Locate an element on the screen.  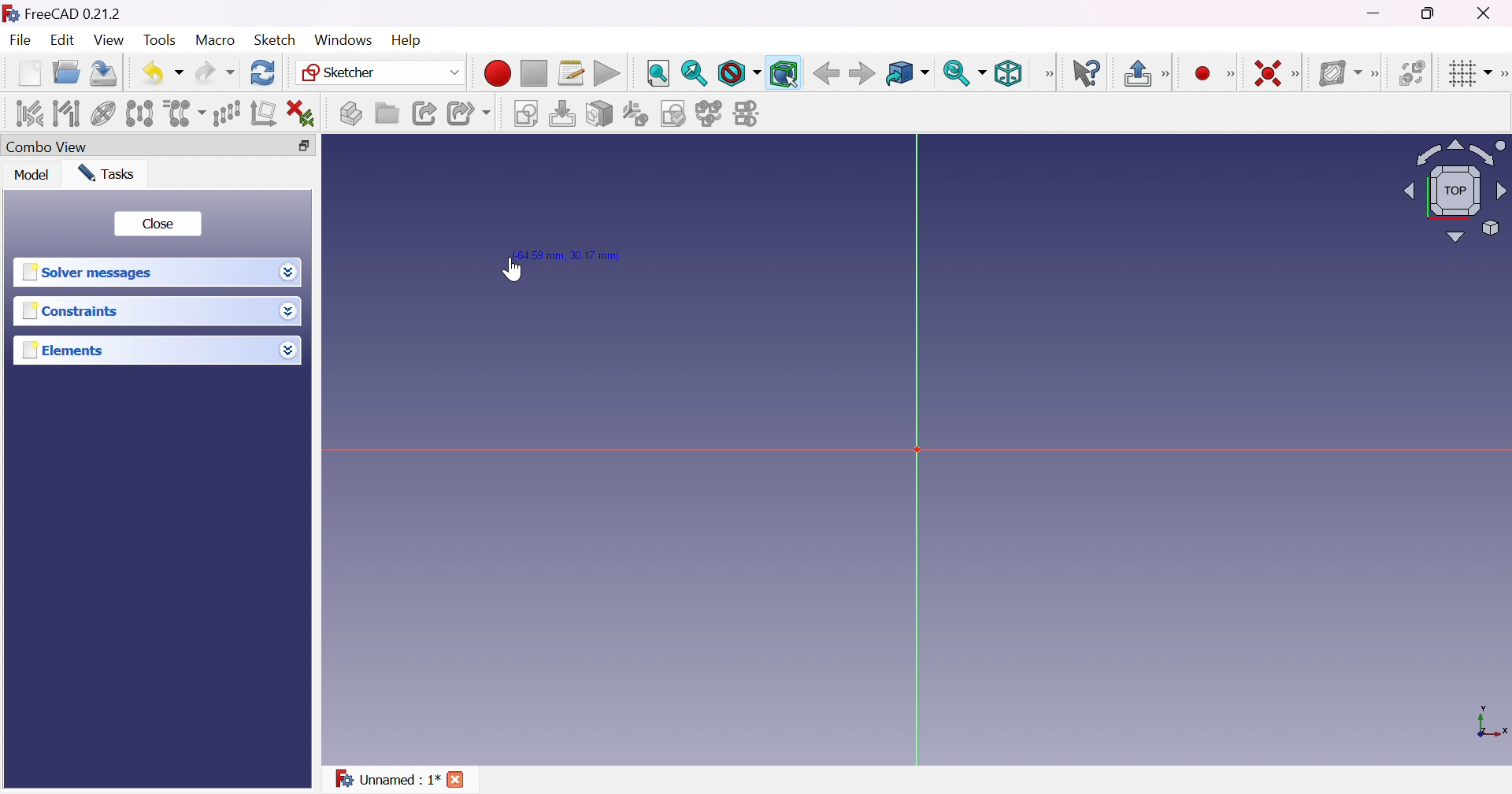
Macro recording... is located at coordinates (498, 72).